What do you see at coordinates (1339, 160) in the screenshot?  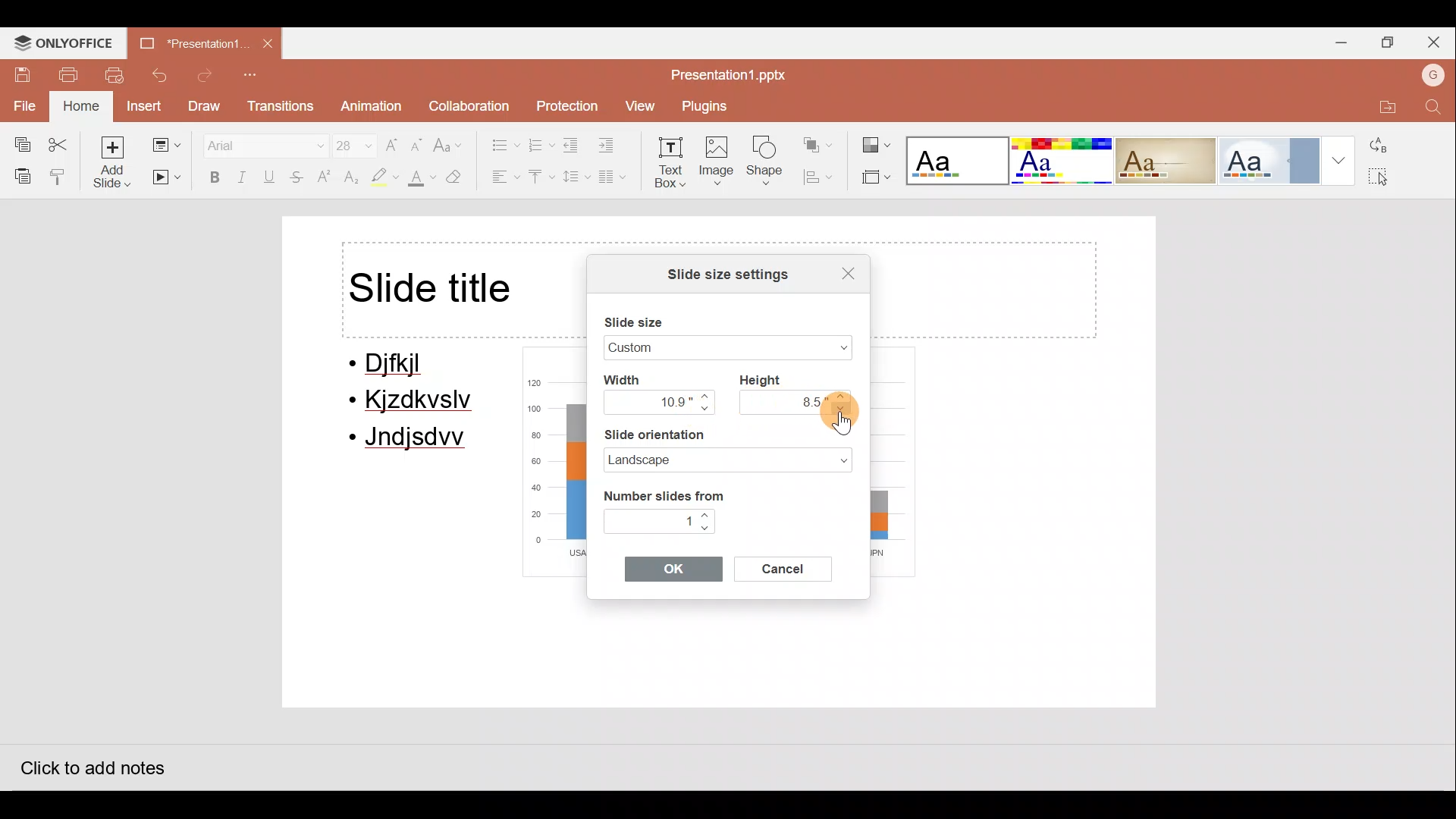 I see `More theme` at bounding box center [1339, 160].